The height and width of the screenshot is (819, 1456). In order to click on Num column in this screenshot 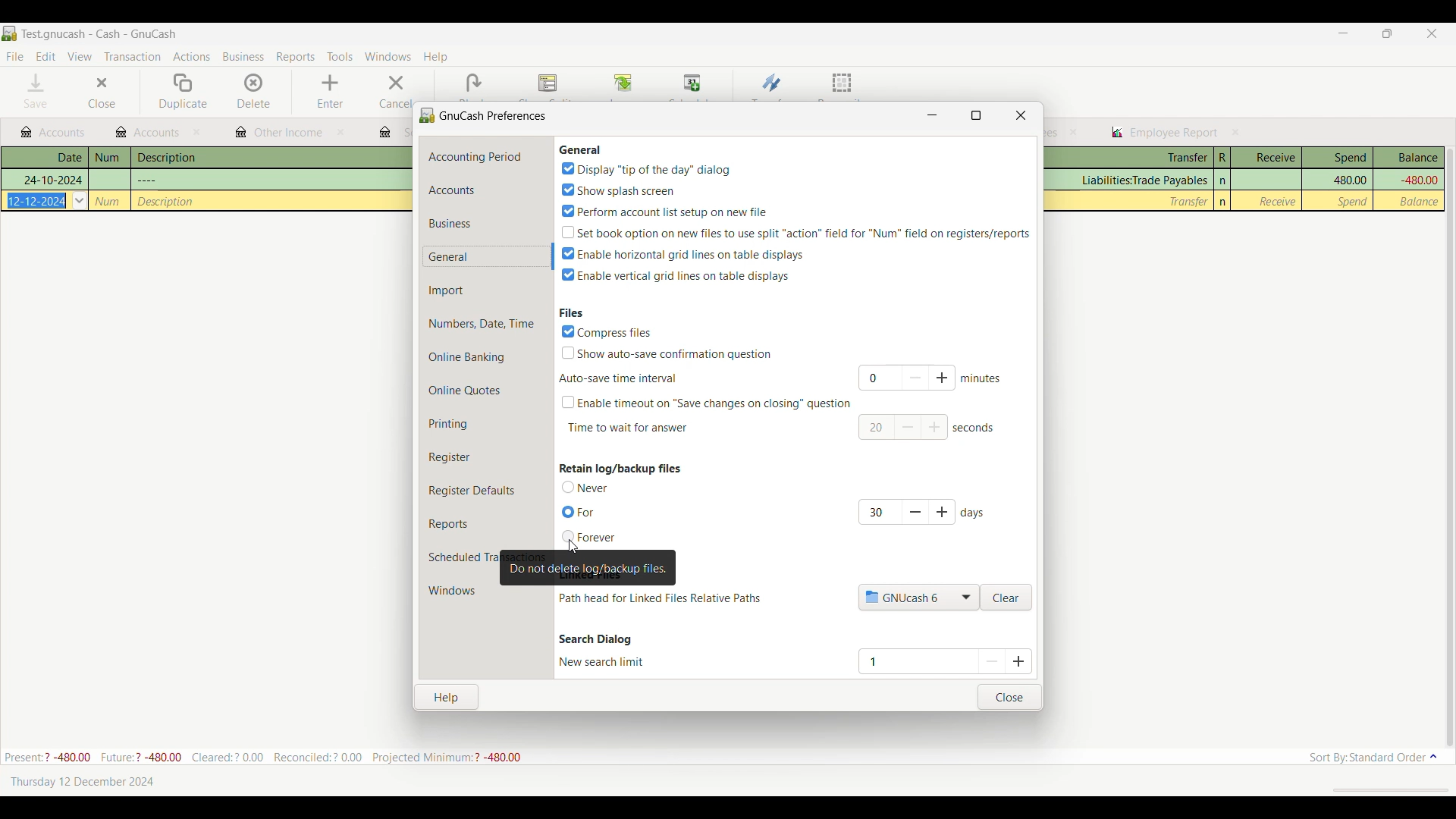, I will do `click(109, 158)`.